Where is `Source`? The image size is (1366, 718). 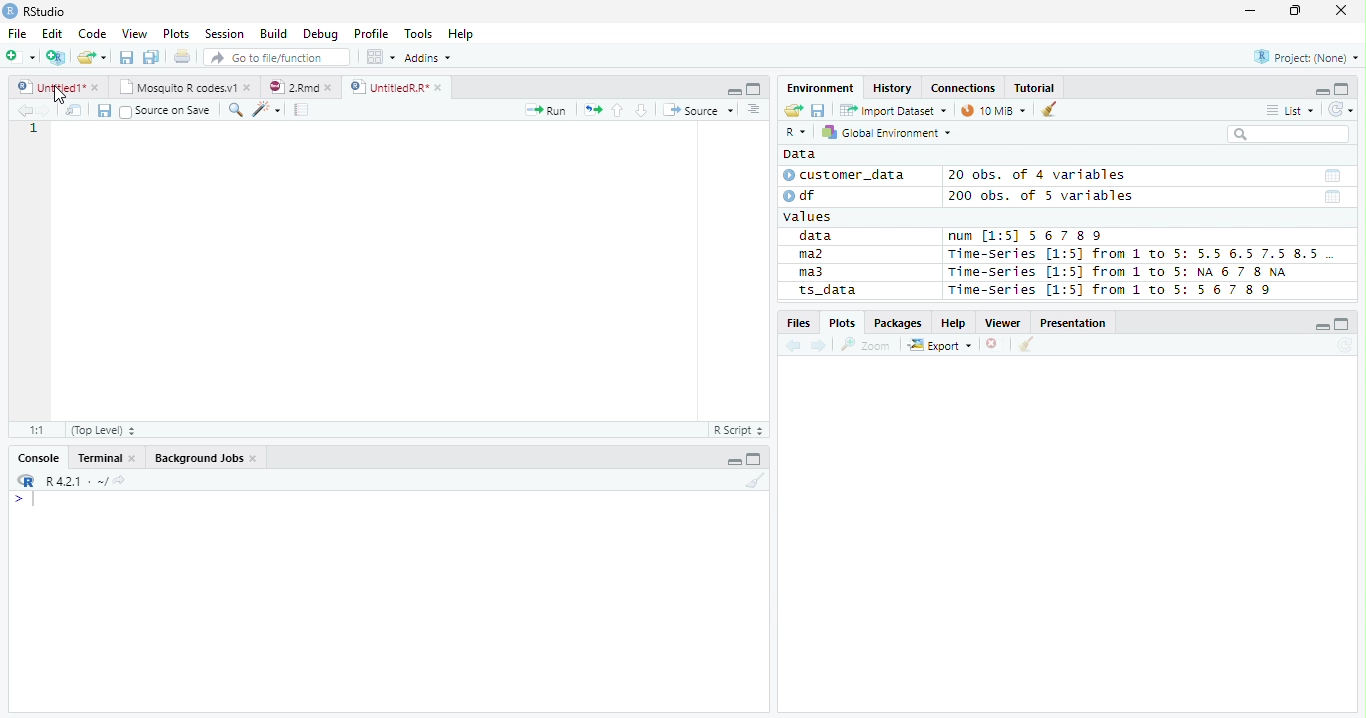 Source is located at coordinates (696, 110).